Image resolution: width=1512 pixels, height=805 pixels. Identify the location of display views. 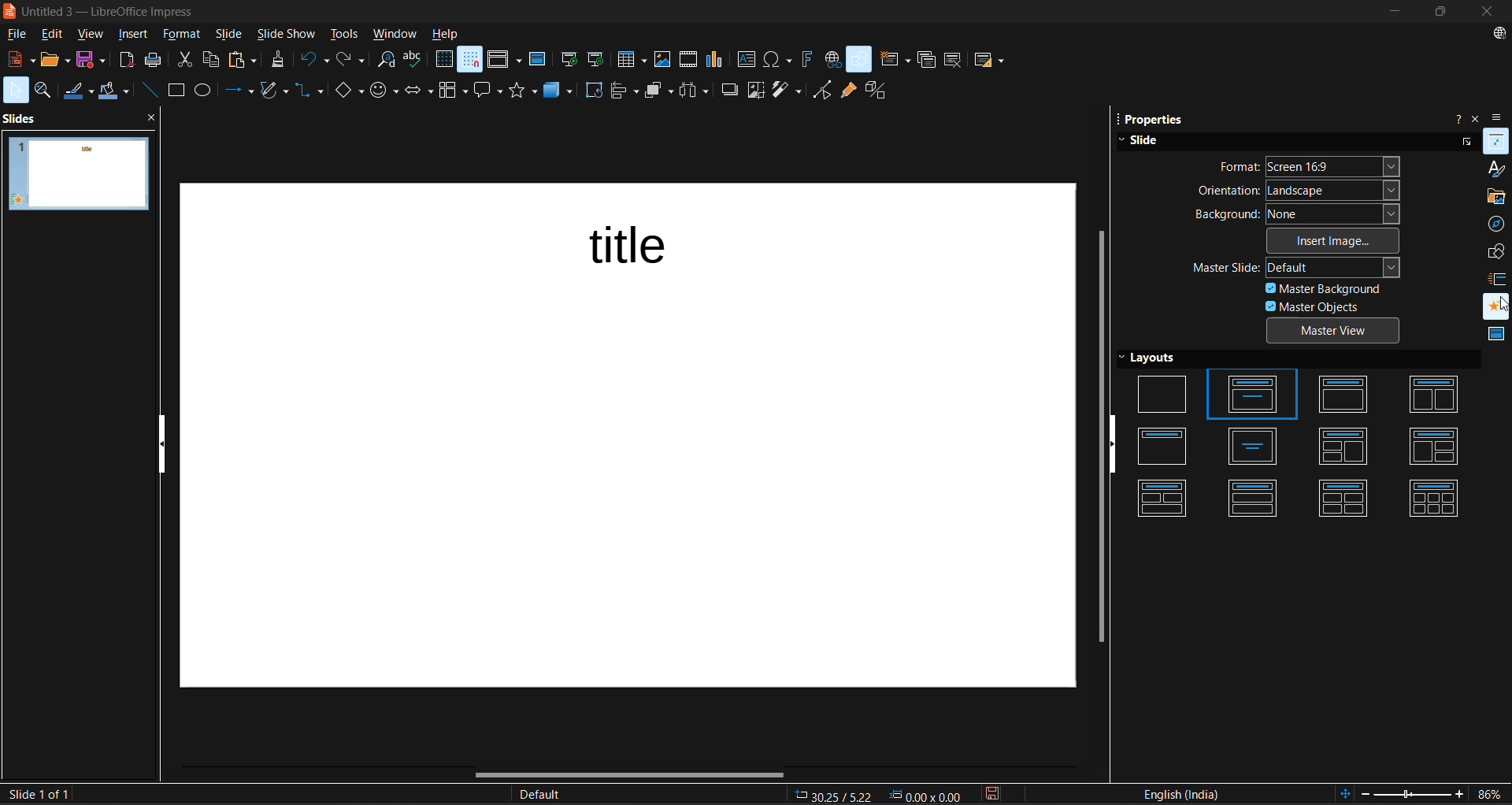
(505, 59).